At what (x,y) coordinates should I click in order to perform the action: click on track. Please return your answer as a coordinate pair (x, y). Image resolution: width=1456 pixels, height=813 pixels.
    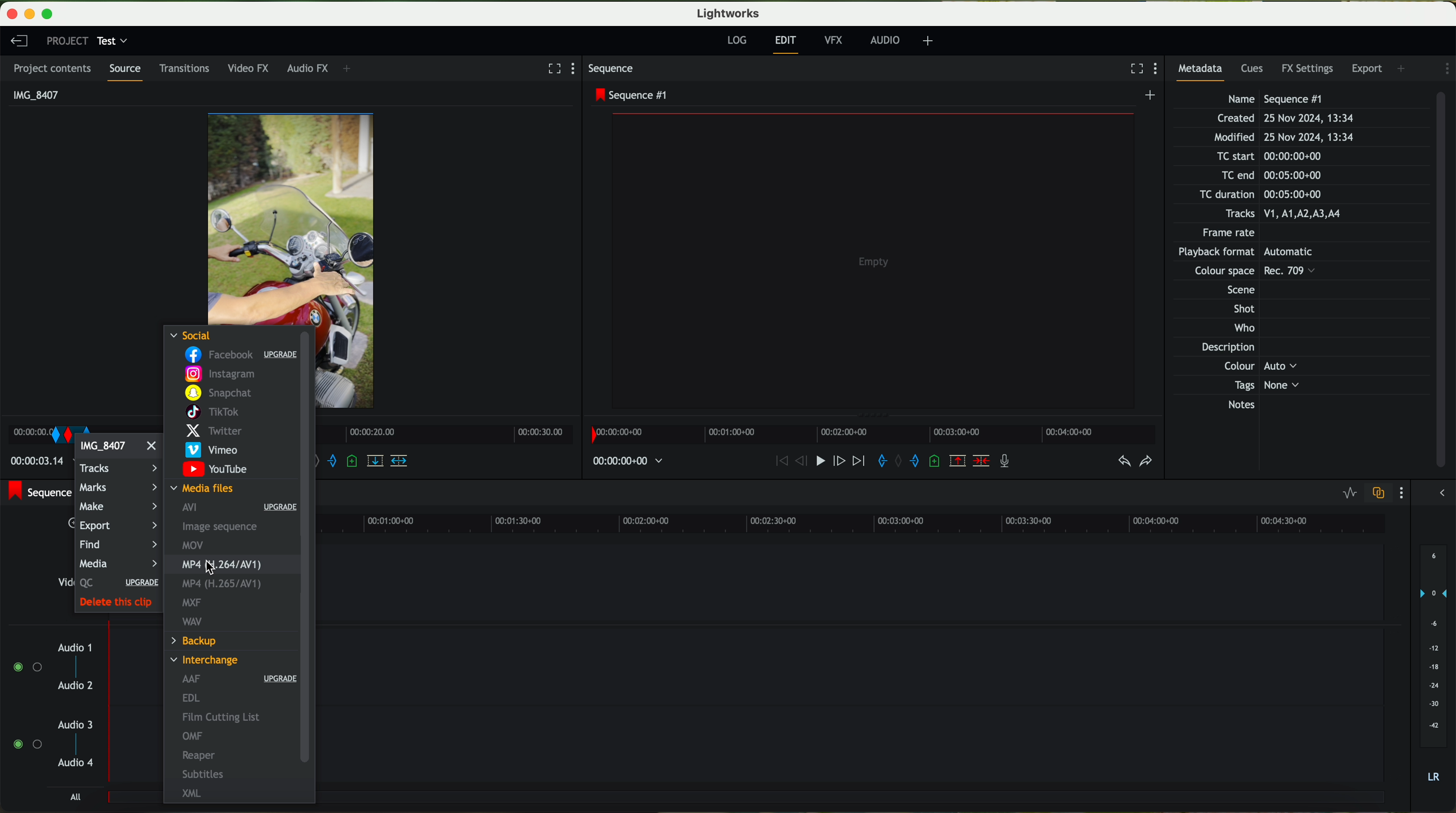
    Looking at the image, I should click on (862, 746).